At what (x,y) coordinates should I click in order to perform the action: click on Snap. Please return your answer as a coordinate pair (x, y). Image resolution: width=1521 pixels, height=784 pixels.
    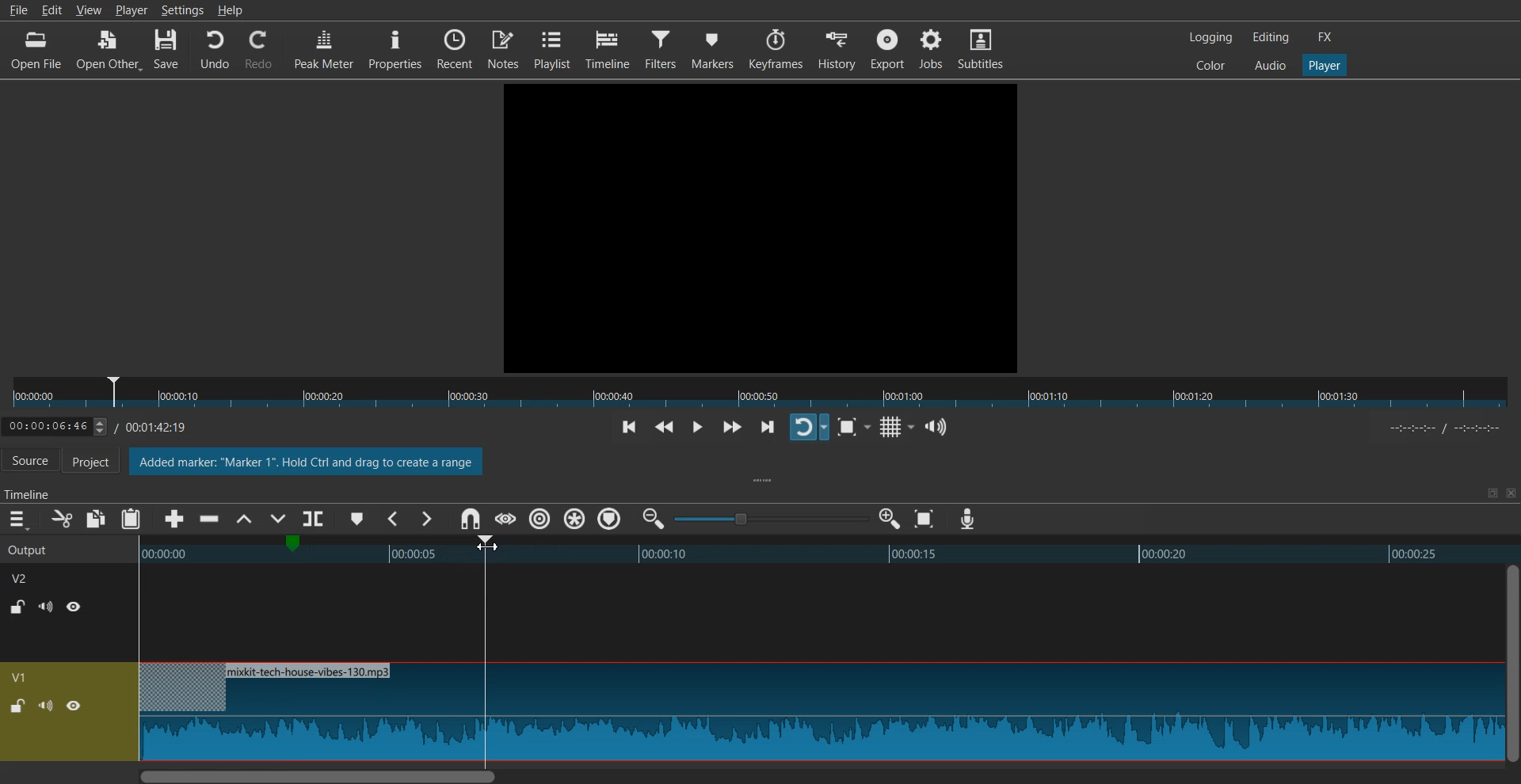
    Looking at the image, I should click on (470, 519).